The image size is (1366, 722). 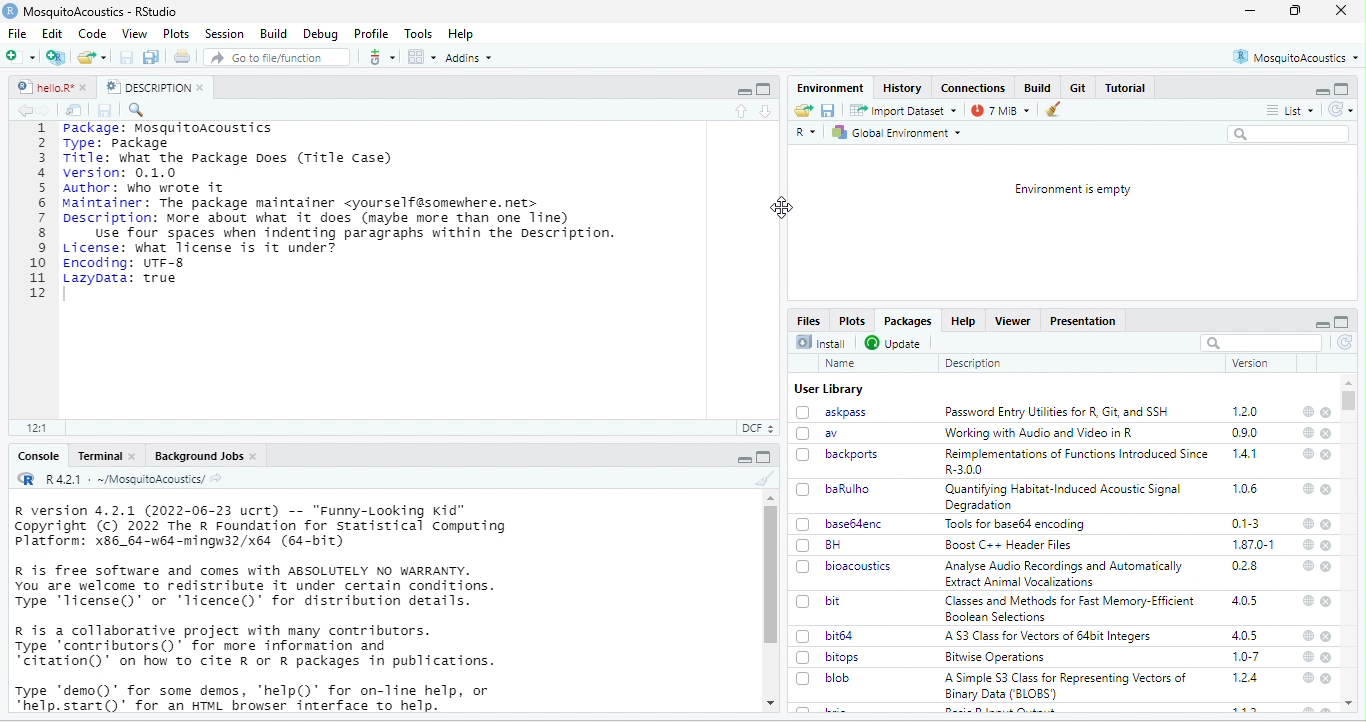 What do you see at coordinates (127, 57) in the screenshot?
I see `save current document` at bounding box center [127, 57].